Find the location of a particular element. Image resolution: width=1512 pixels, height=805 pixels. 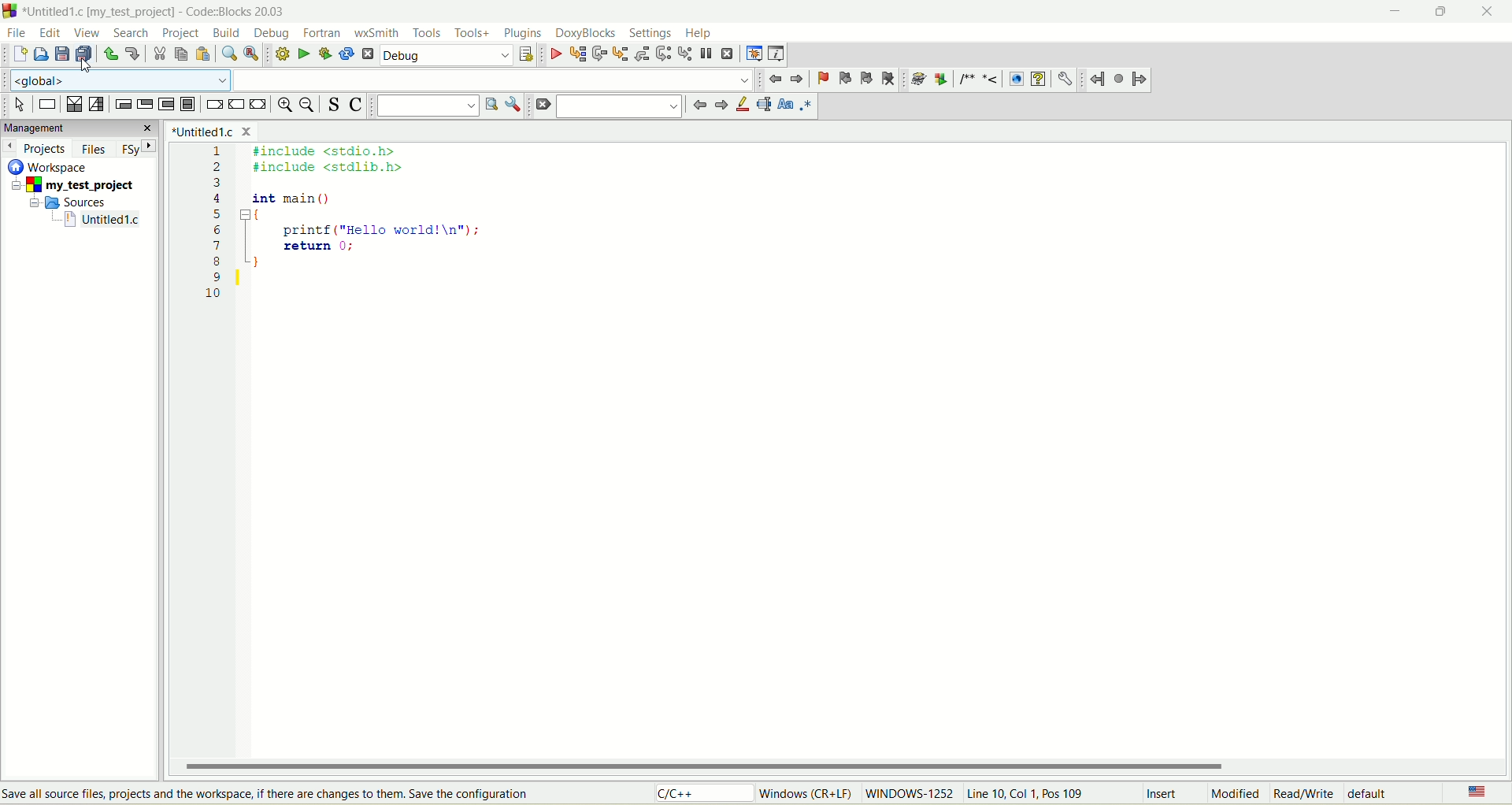

minimize is located at coordinates (1399, 10).